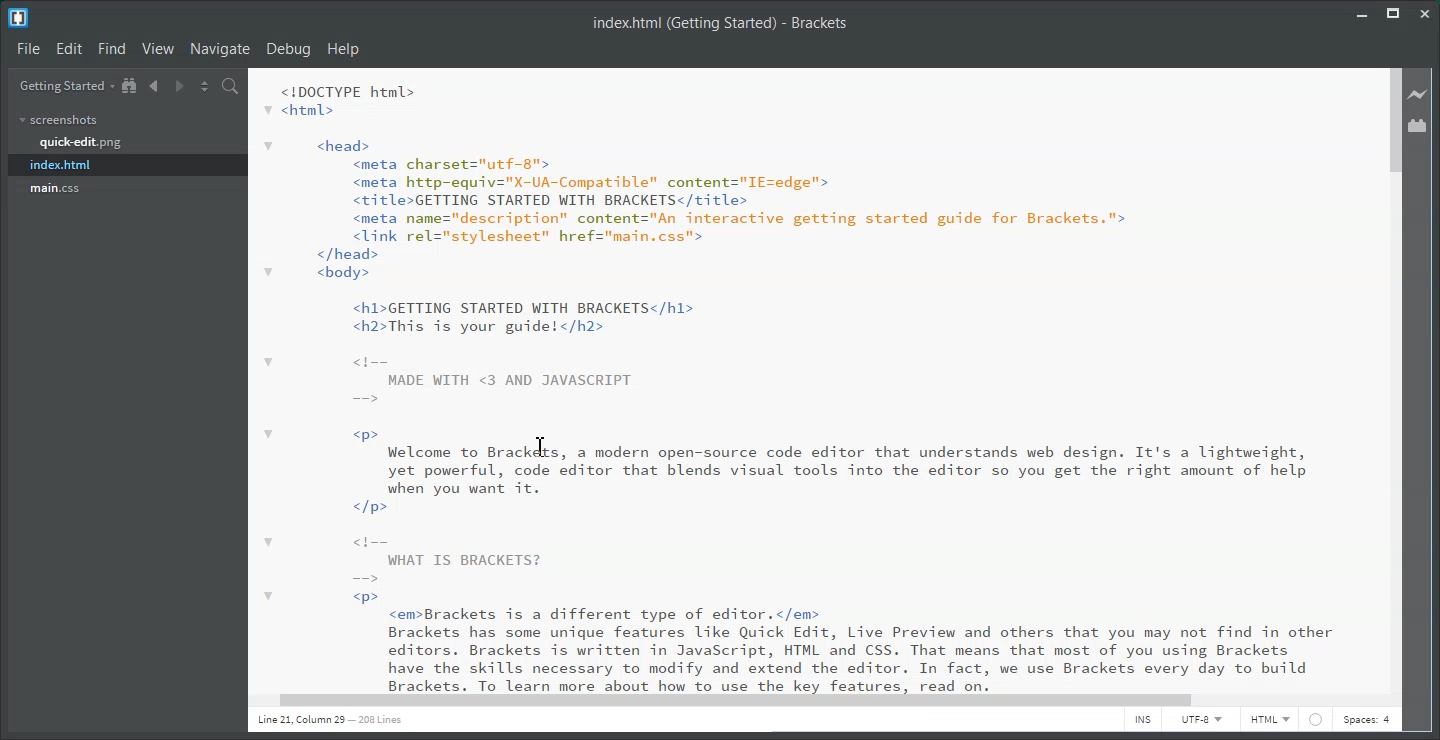  Describe the element at coordinates (65, 86) in the screenshot. I see `Getting Started` at that location.